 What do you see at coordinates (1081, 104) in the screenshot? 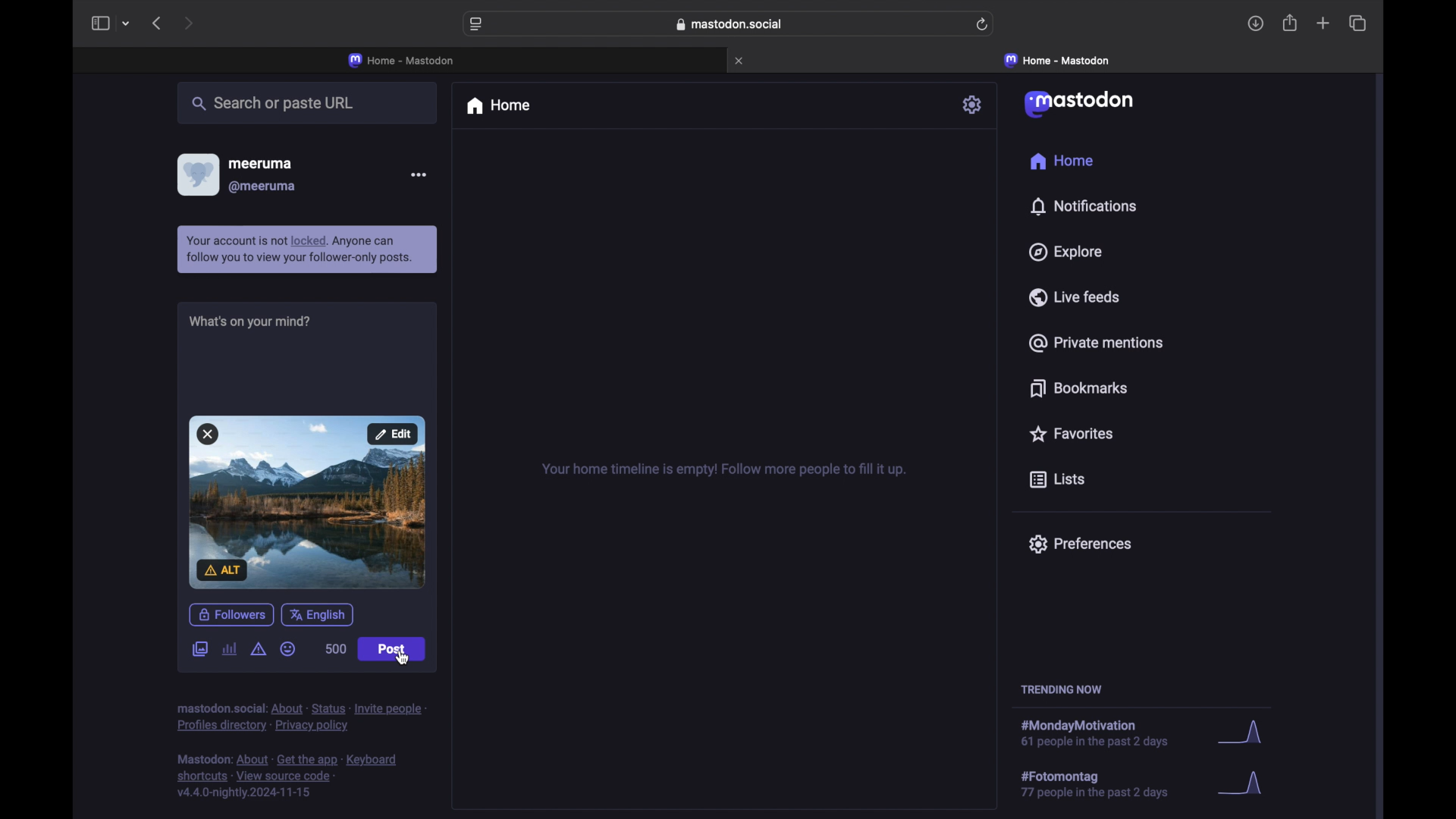
I see `mastodon` at bounding box center [1081, 104].